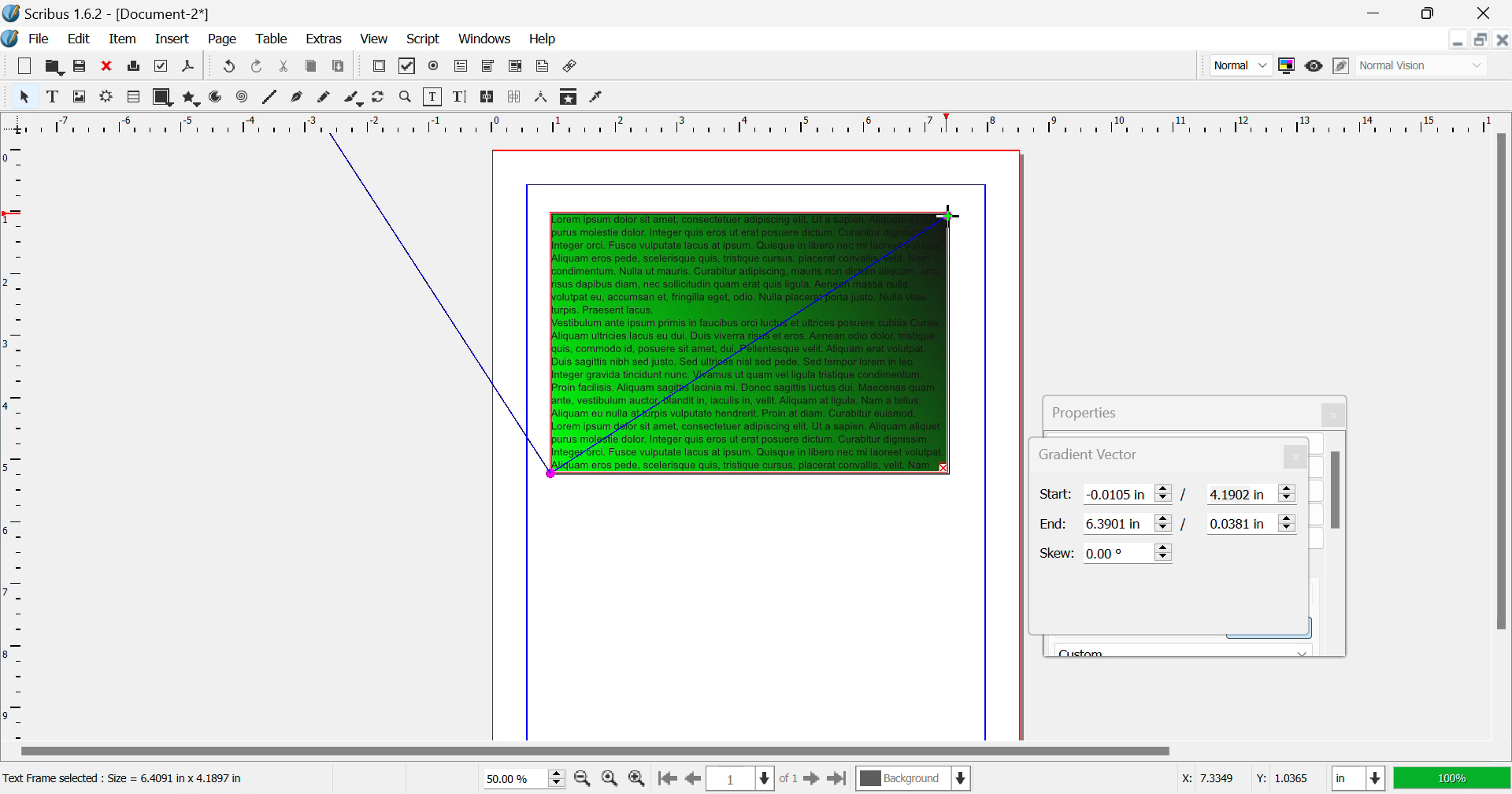 This screenshot has width=1512, height=794. What do you see at coordinates (1482, 39) in the screenshot?
I see `Minimize` at bounding box center [1482, 39].